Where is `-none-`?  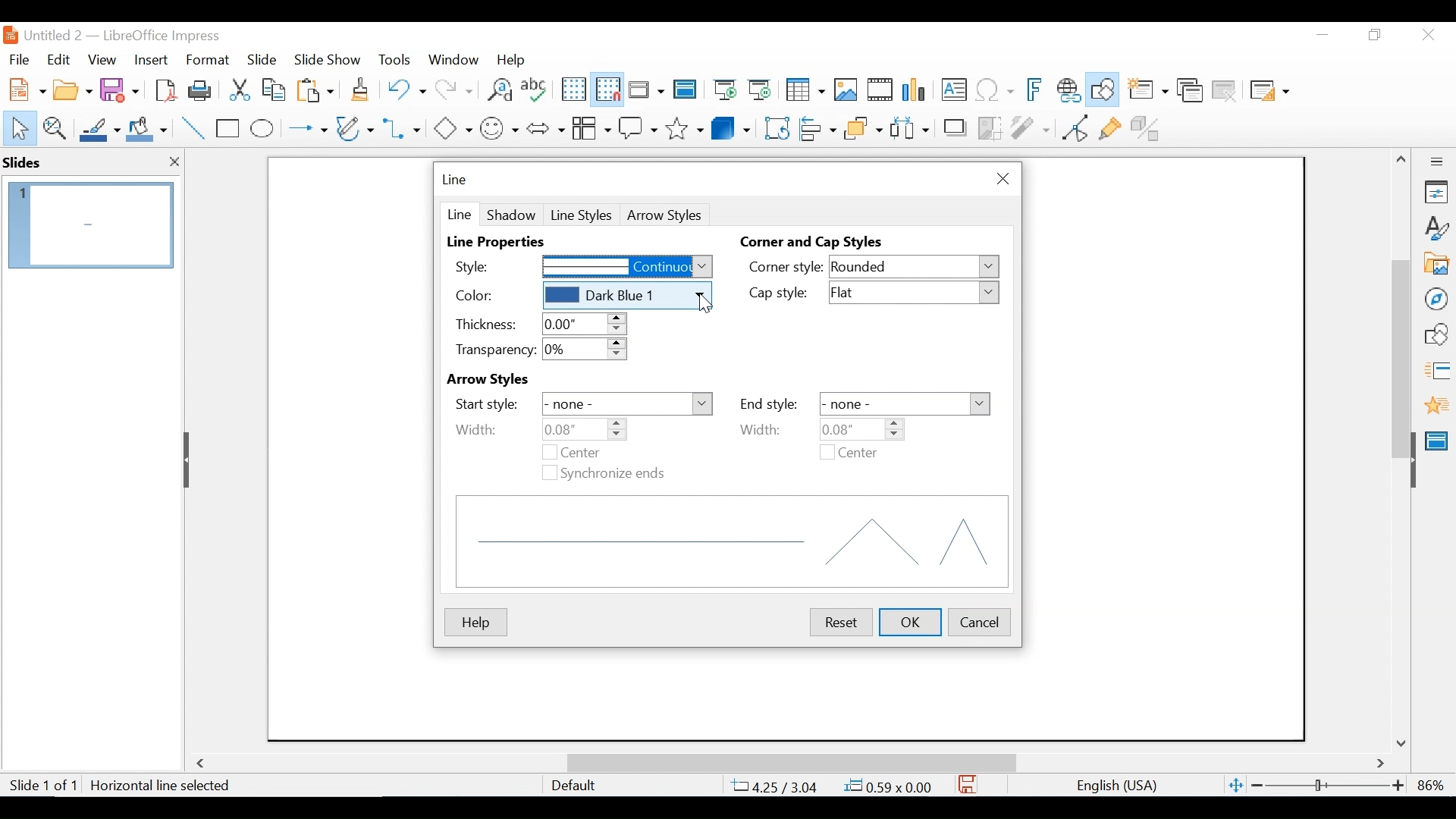 -none- is located at coordinates (905, 403).